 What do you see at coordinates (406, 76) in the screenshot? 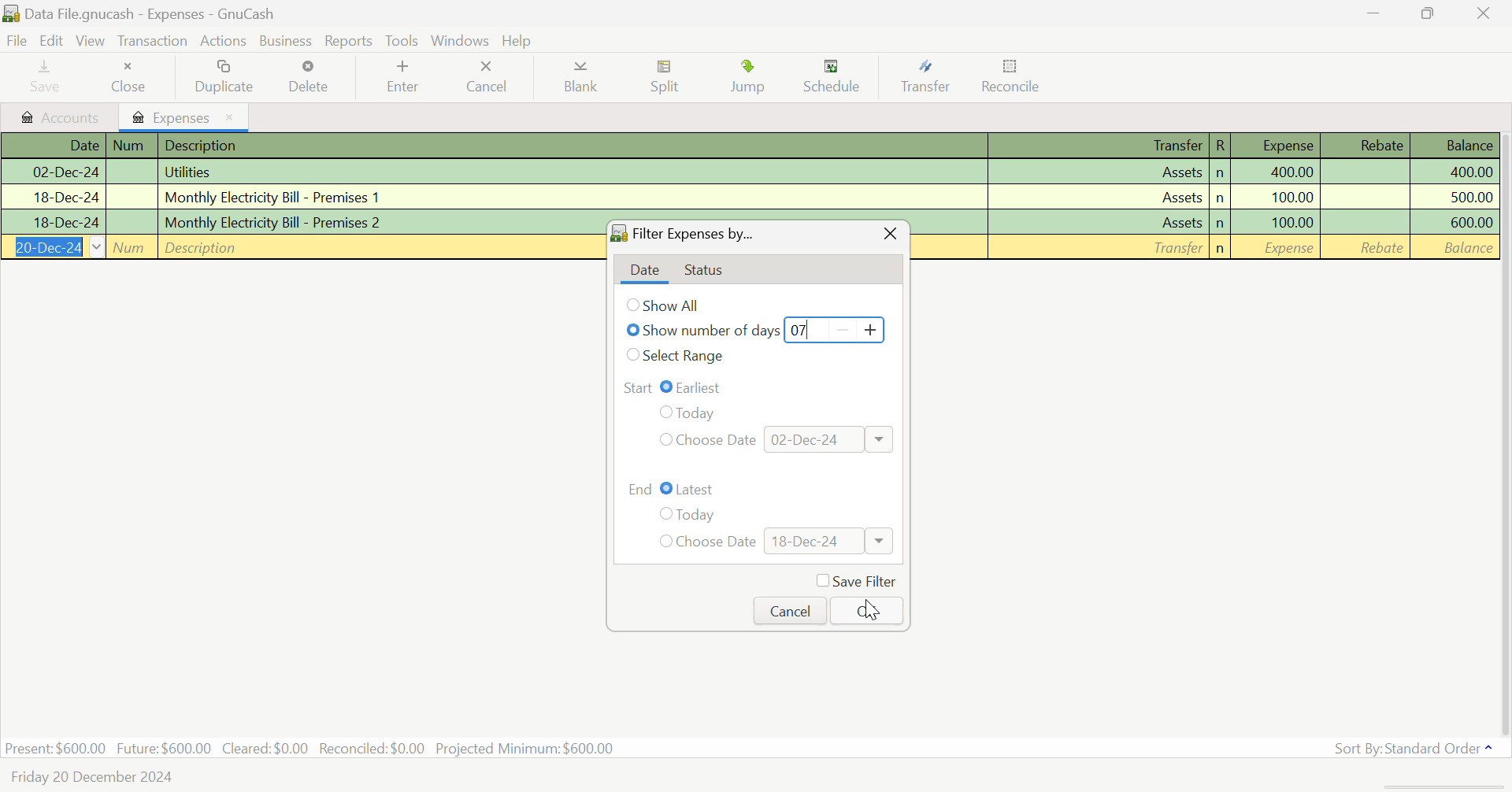
I see `Enter` at bounding box center [406, 76].